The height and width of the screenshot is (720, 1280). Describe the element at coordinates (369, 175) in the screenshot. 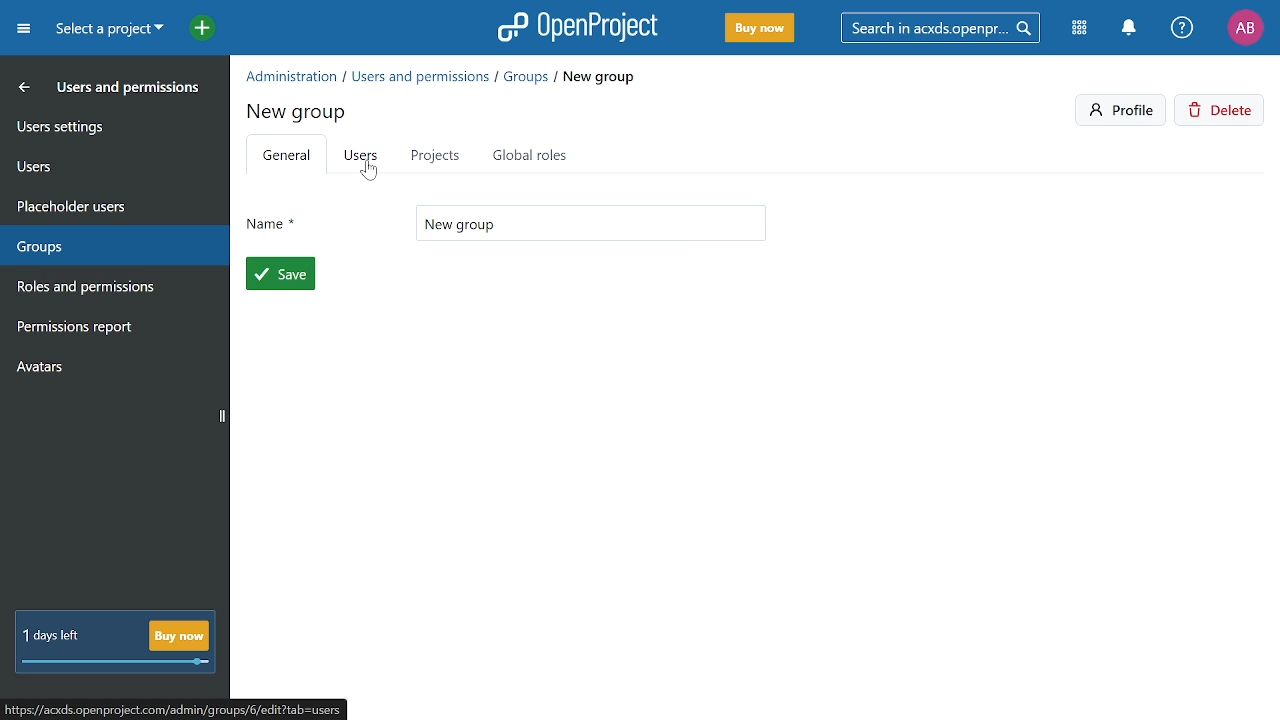

I see `cursor` at that location.